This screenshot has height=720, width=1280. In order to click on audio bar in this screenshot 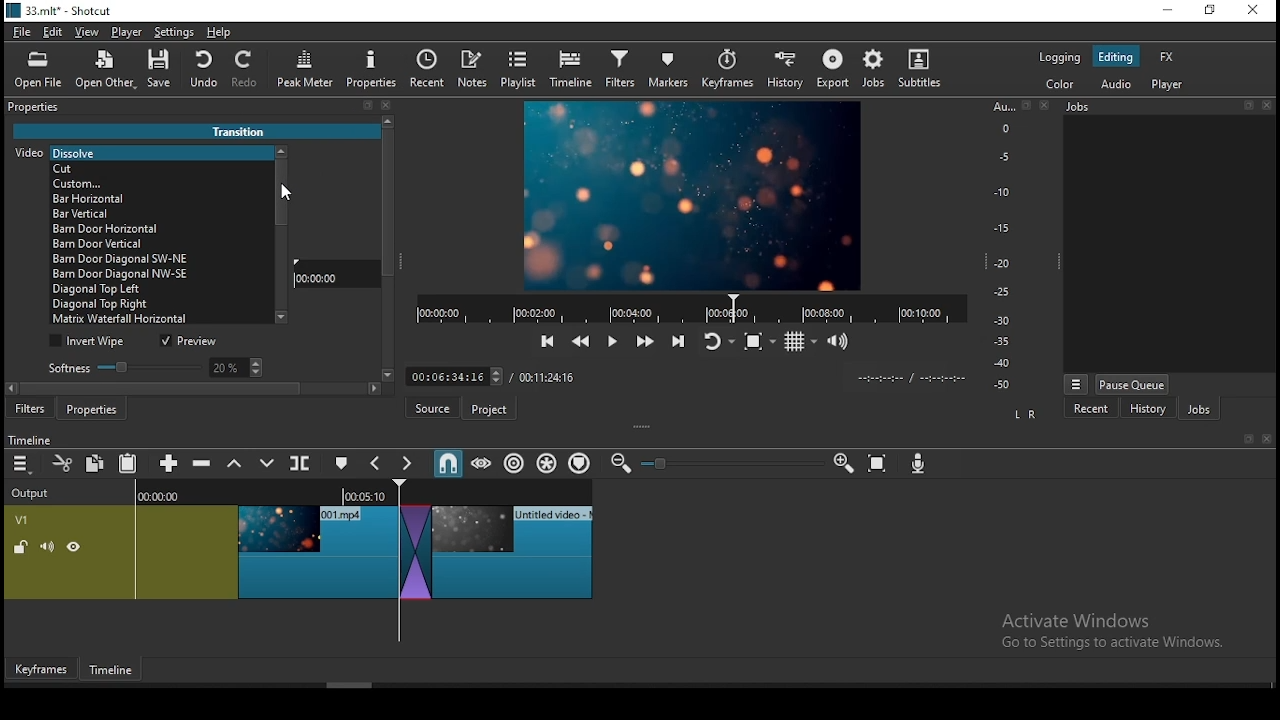, I will do `click(1002, 246)`.